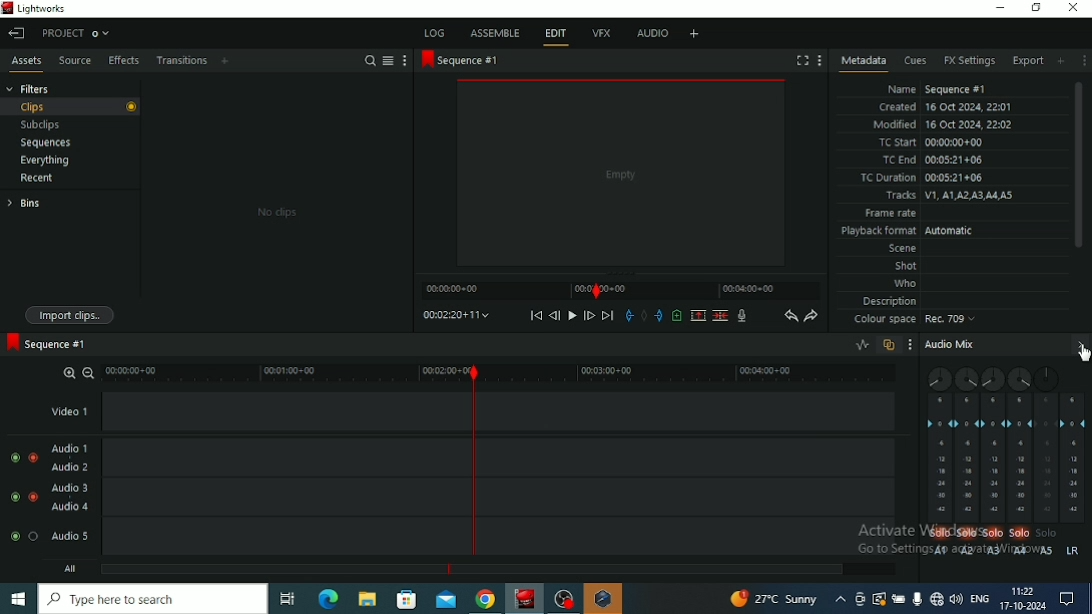  What do you see at coordinates (915, 321) in the screenshot?
I see `Colour space` at bounding box center [915, 321].